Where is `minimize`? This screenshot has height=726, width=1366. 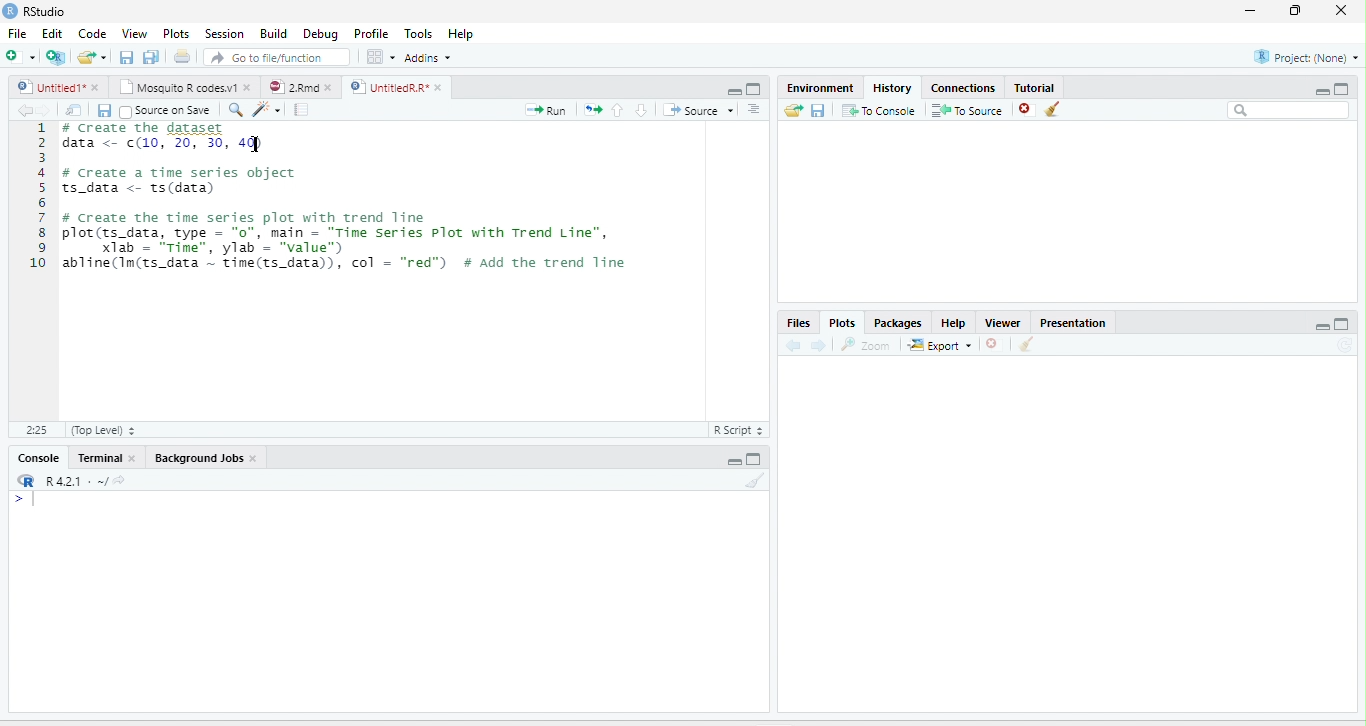 minimize is located at coordinates (1250, 11).